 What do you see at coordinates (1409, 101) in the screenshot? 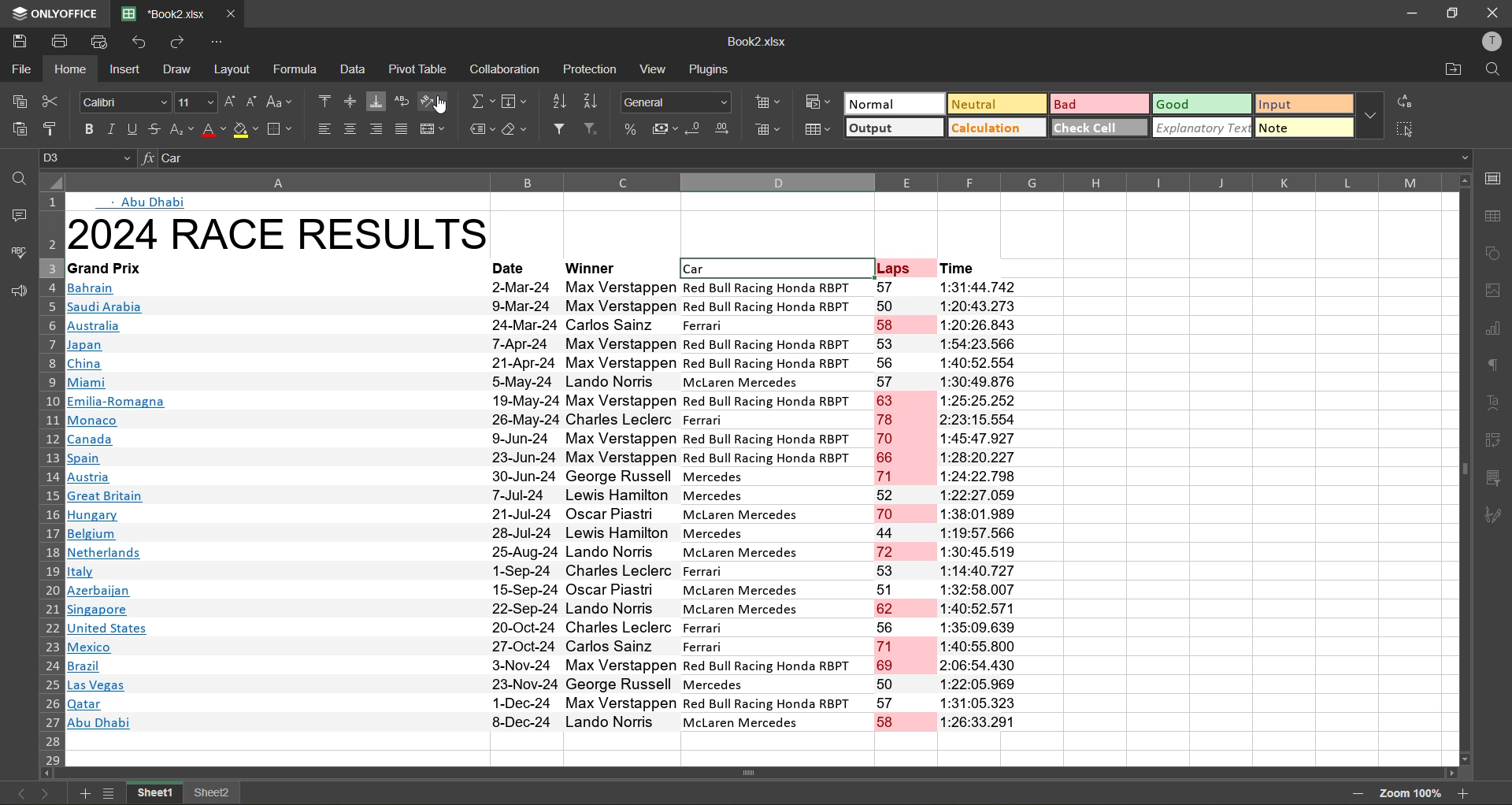
I see `replace` at bounding box center [1409, 101].